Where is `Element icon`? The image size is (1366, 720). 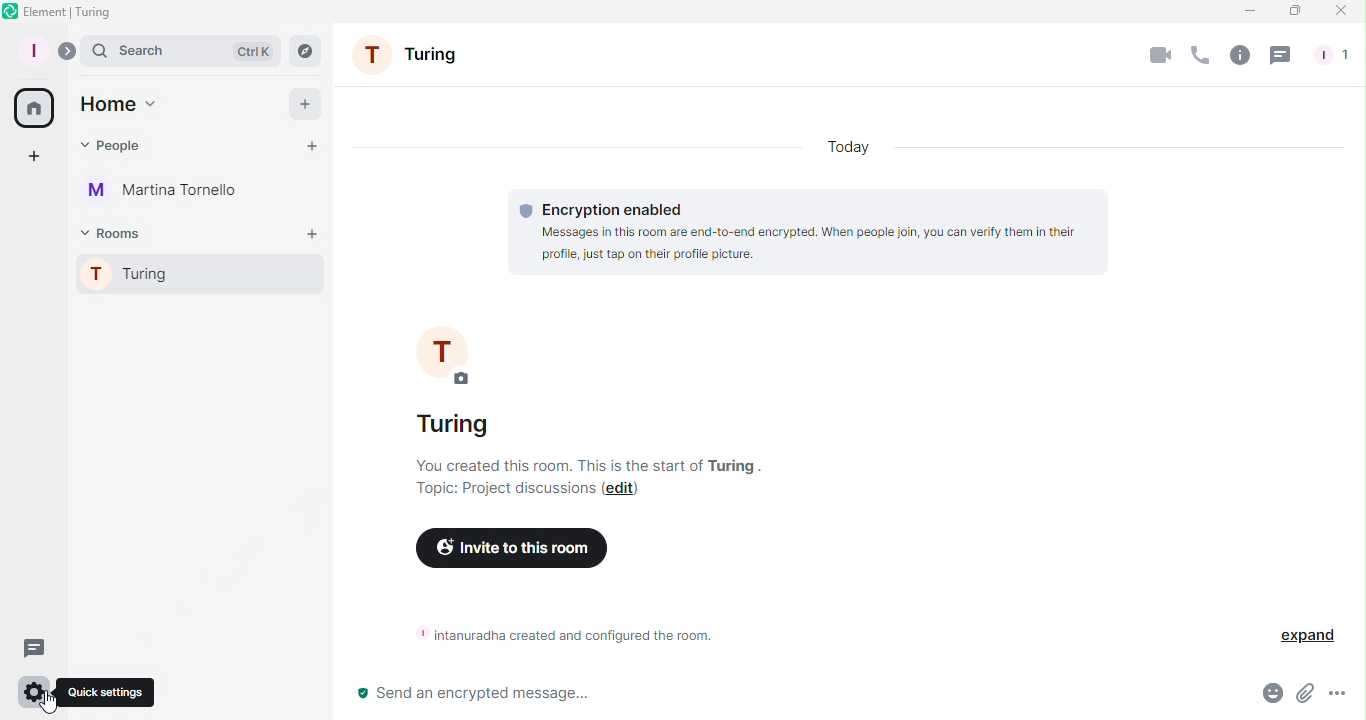
Element icon is located at coordinates (9, 11).